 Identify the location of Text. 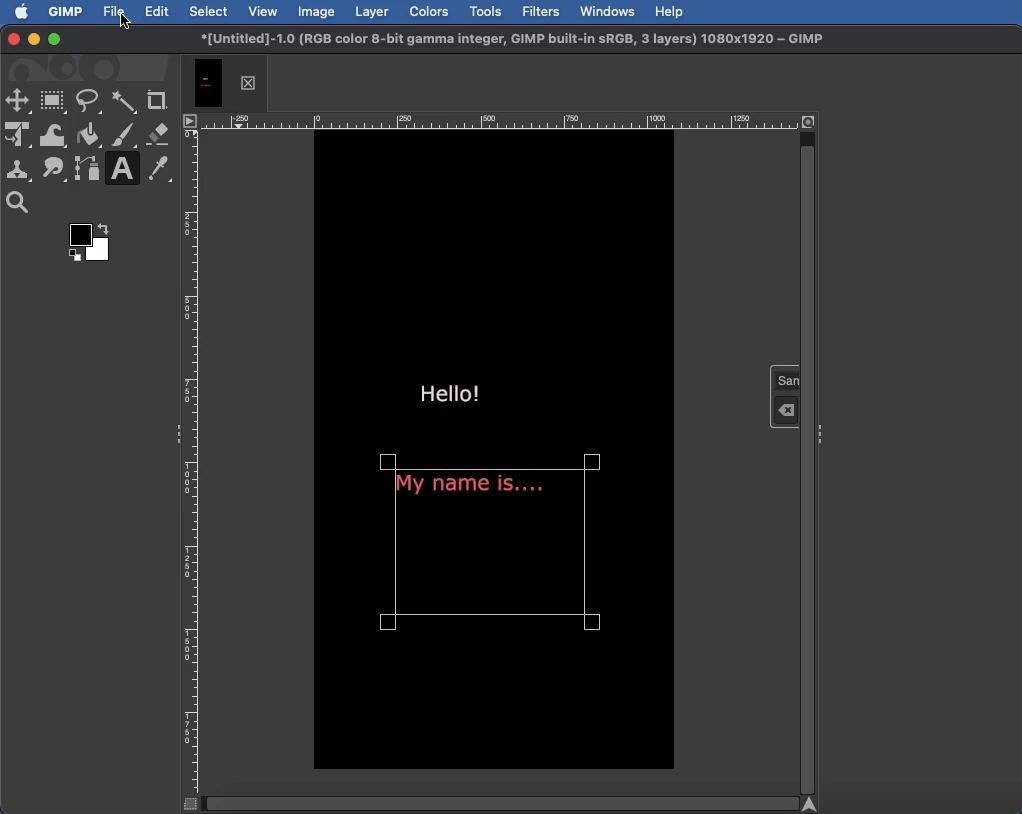
(121, 168).